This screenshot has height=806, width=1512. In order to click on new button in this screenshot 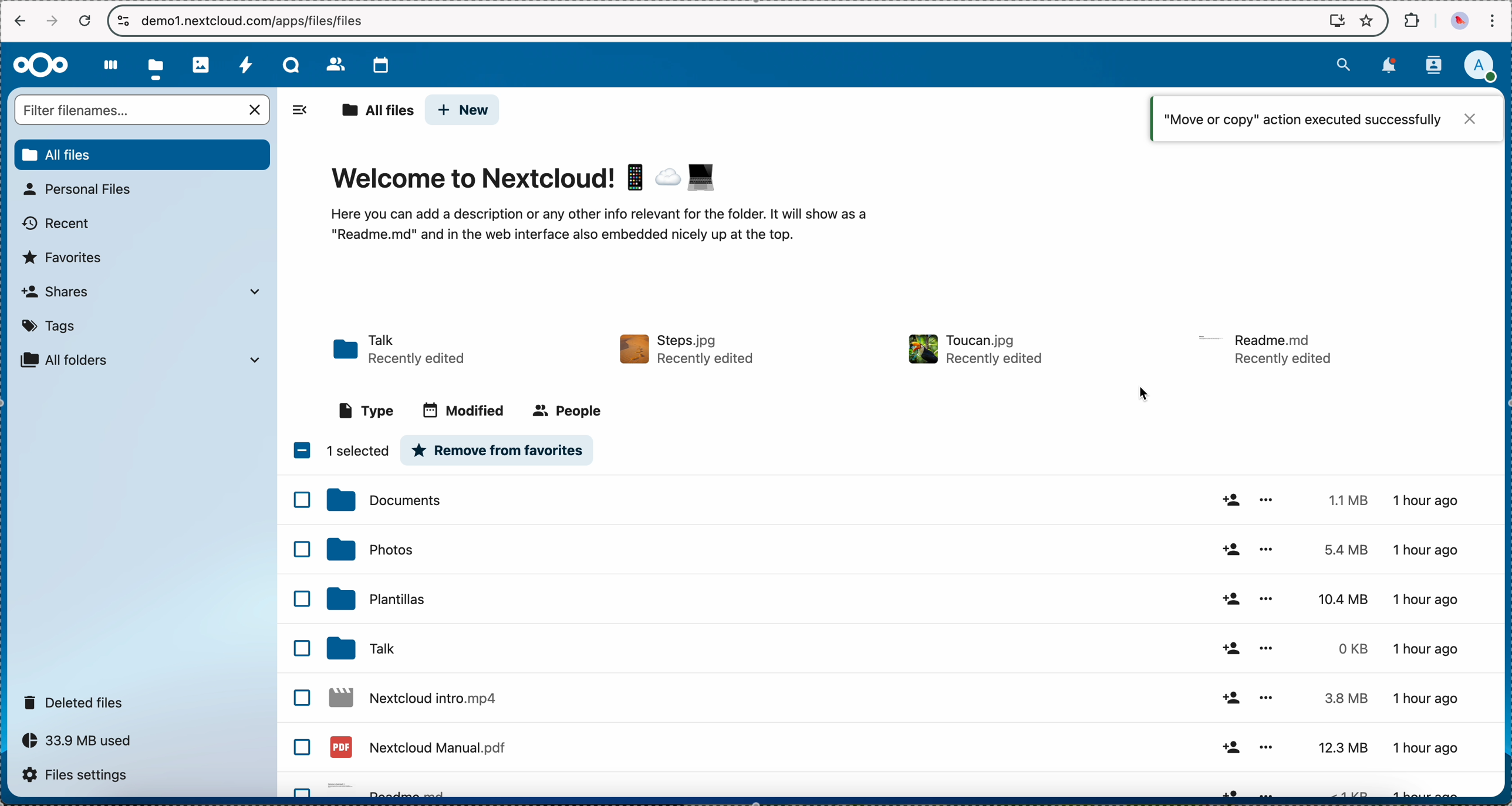, I will do `click(464, 109)`.